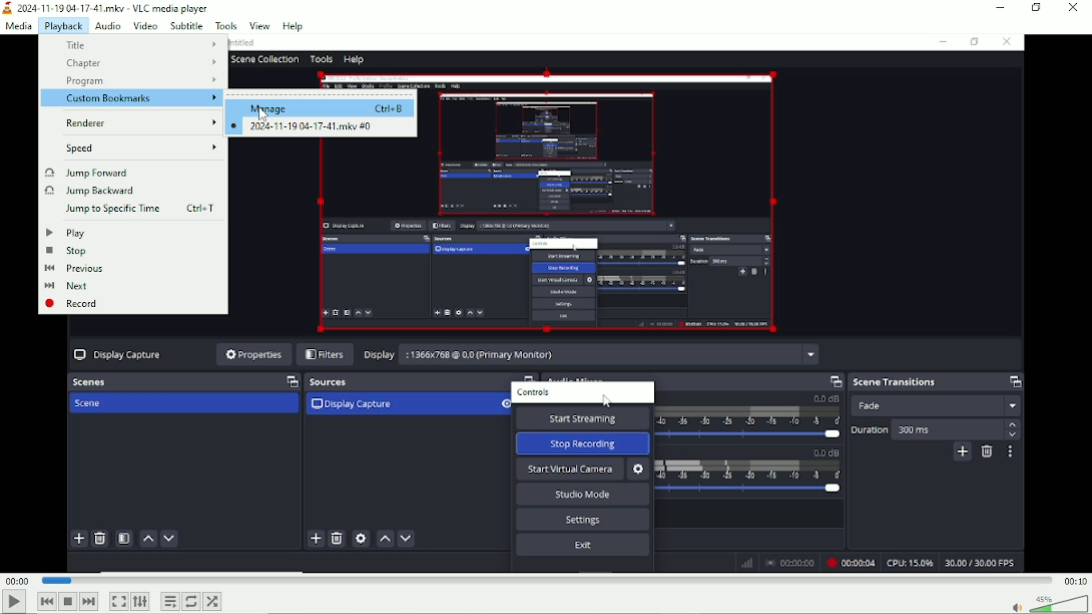 This screenshot has height=614, width=1092. I want to click on Video, so click(146, 25).